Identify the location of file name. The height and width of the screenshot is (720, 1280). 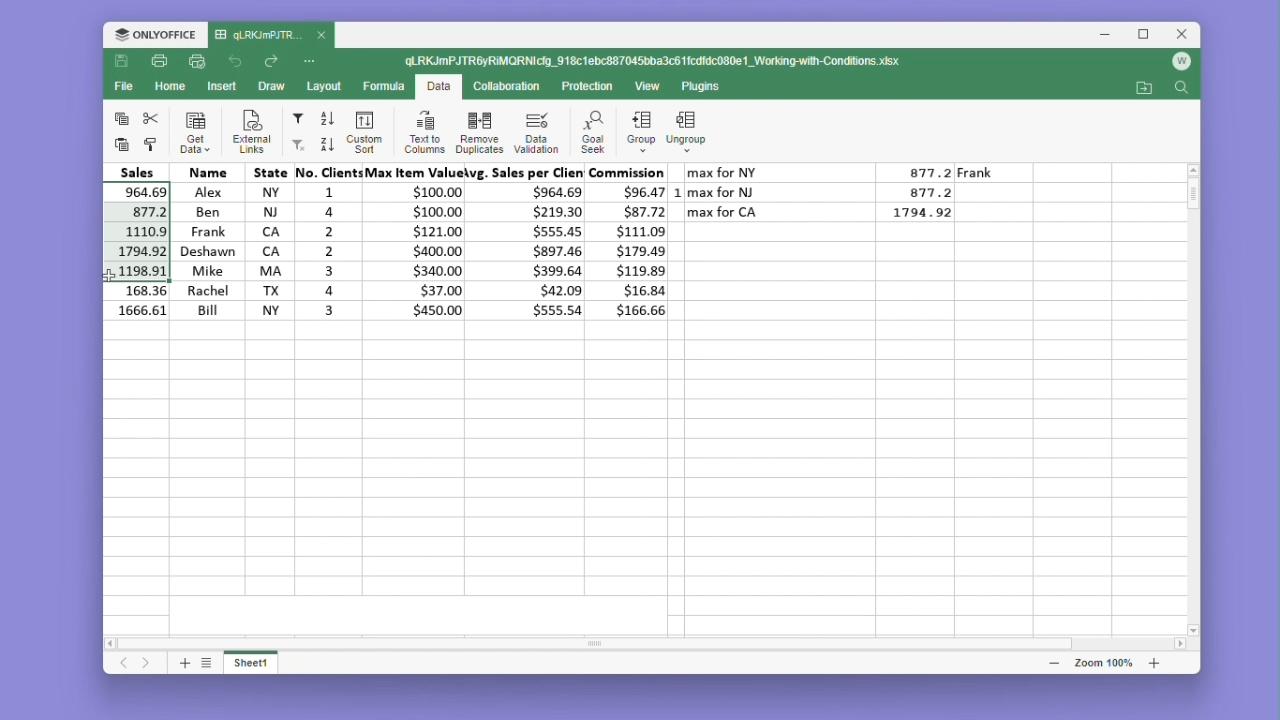
(271, 36).